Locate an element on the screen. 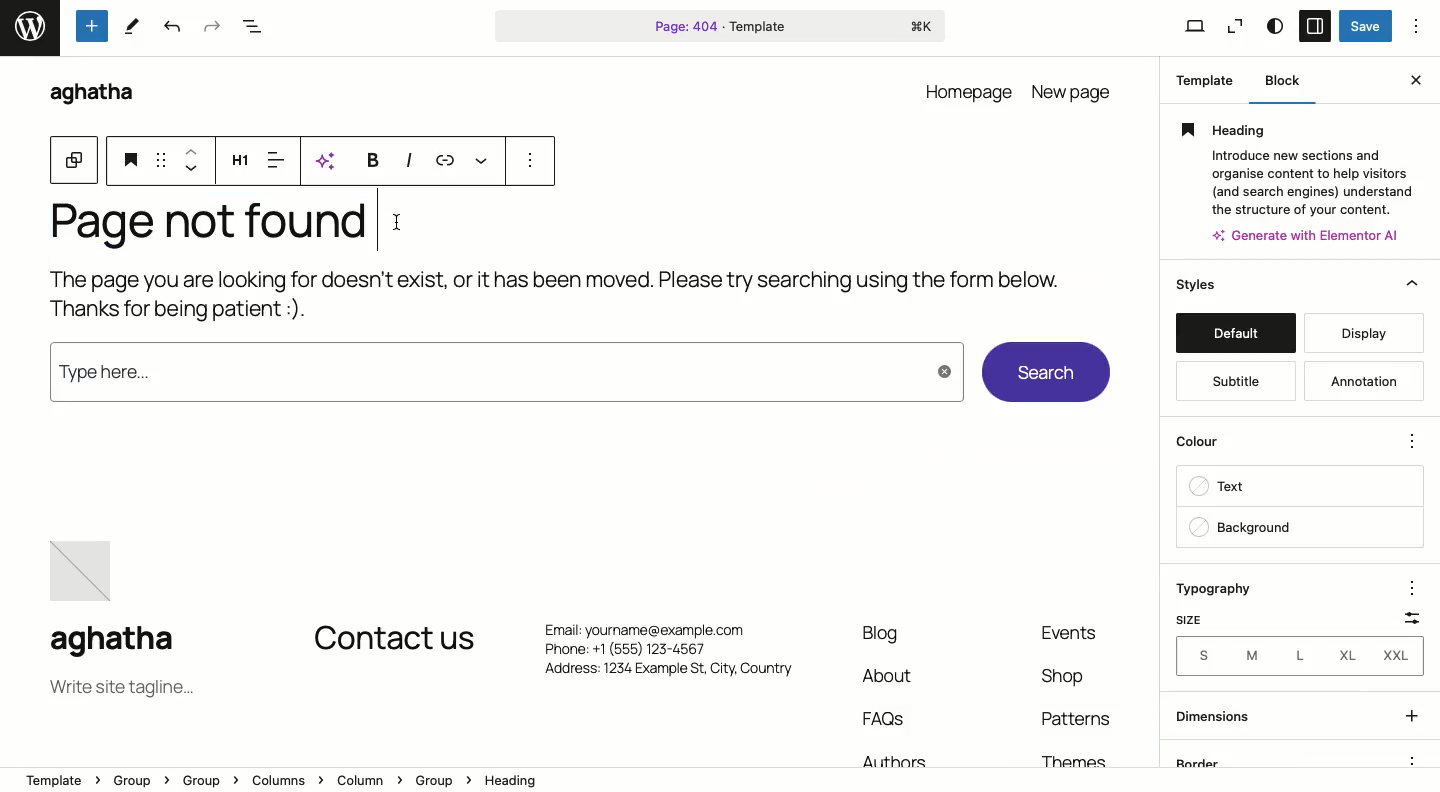 This screenshot has height=792, width=1440. Heading is located at coordinates (240, 162).